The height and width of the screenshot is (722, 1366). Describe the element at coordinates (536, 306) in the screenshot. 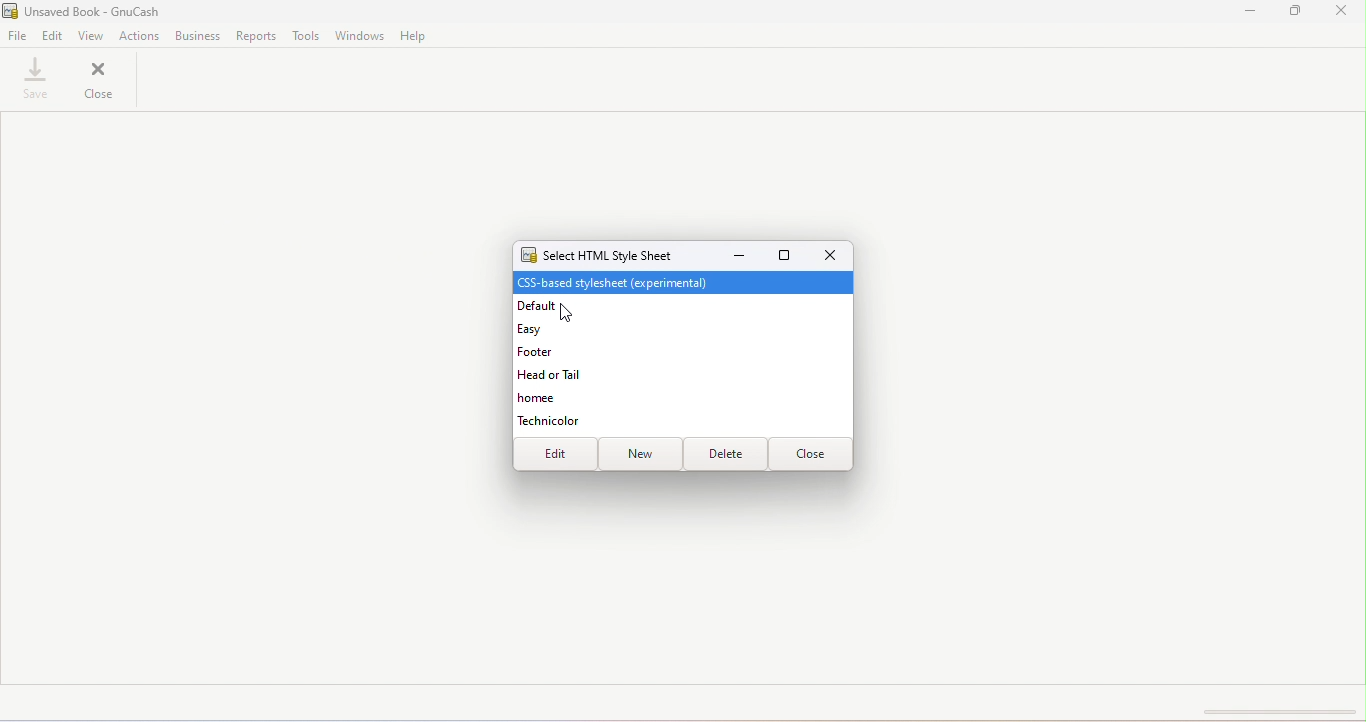

I see `Default` at that location.